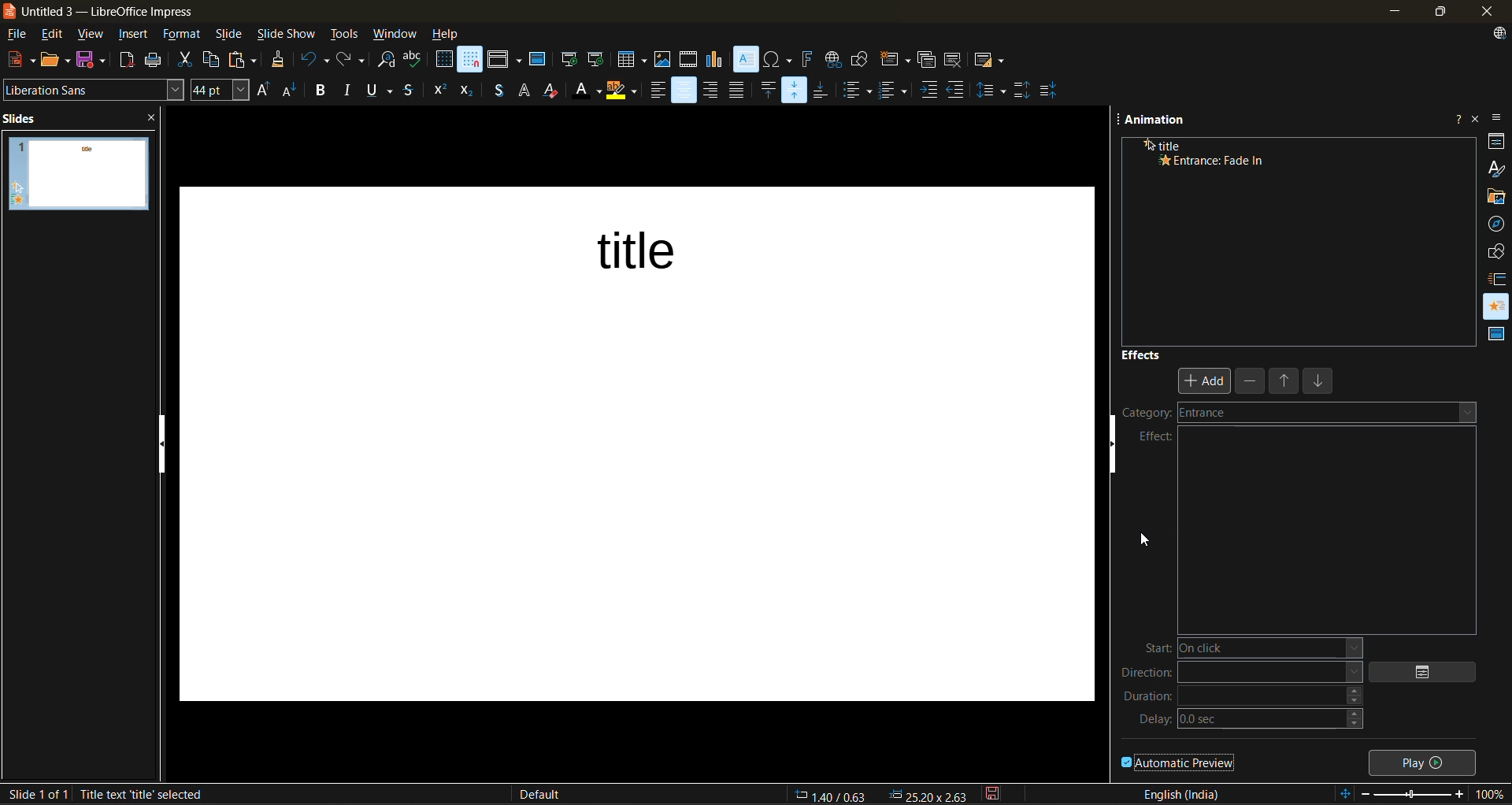 The height and width of the screenshot is (805, 1512). What do you see at coordinates (1499, 278) in the screenshot?
I see `slide transition` at bounding box center [1499, 278].